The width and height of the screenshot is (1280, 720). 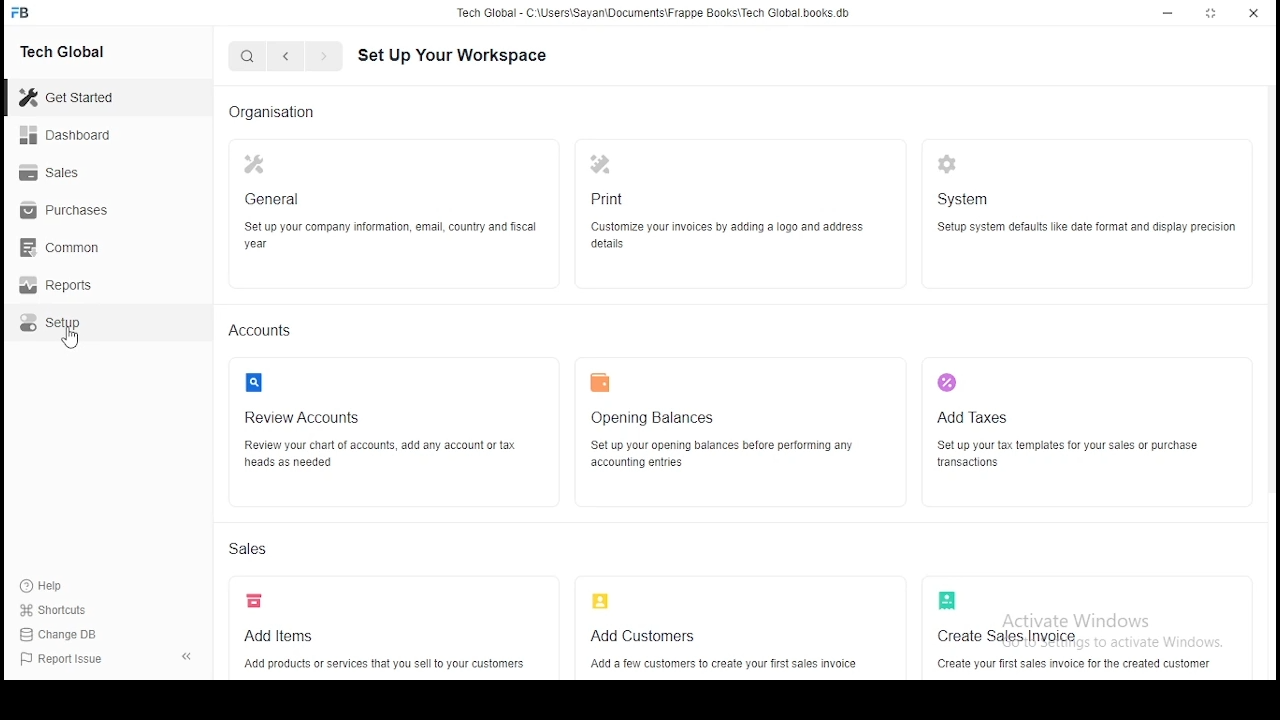 I want to click on search, so click(x=246, y=57).